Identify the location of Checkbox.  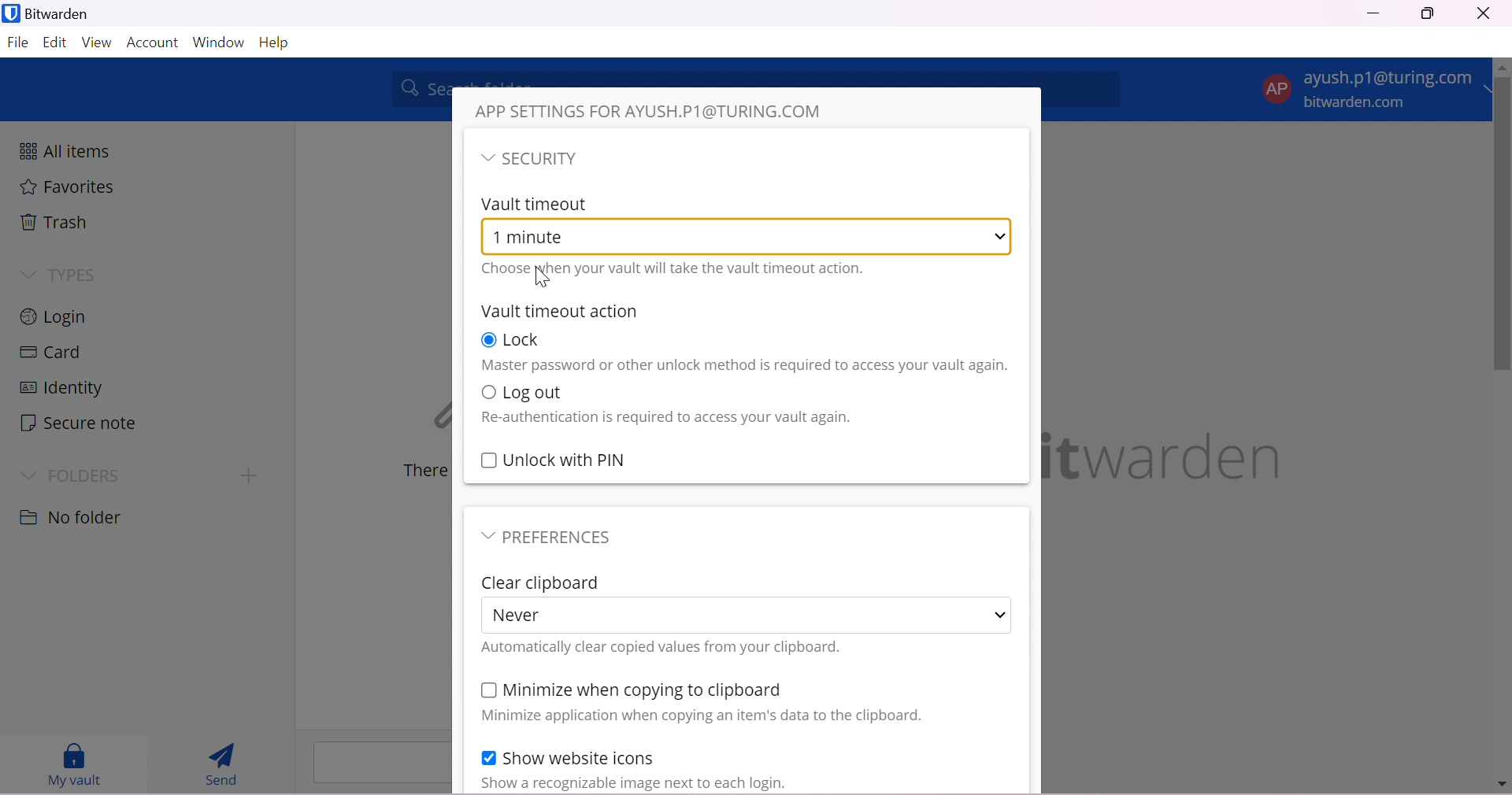
(488, 461).